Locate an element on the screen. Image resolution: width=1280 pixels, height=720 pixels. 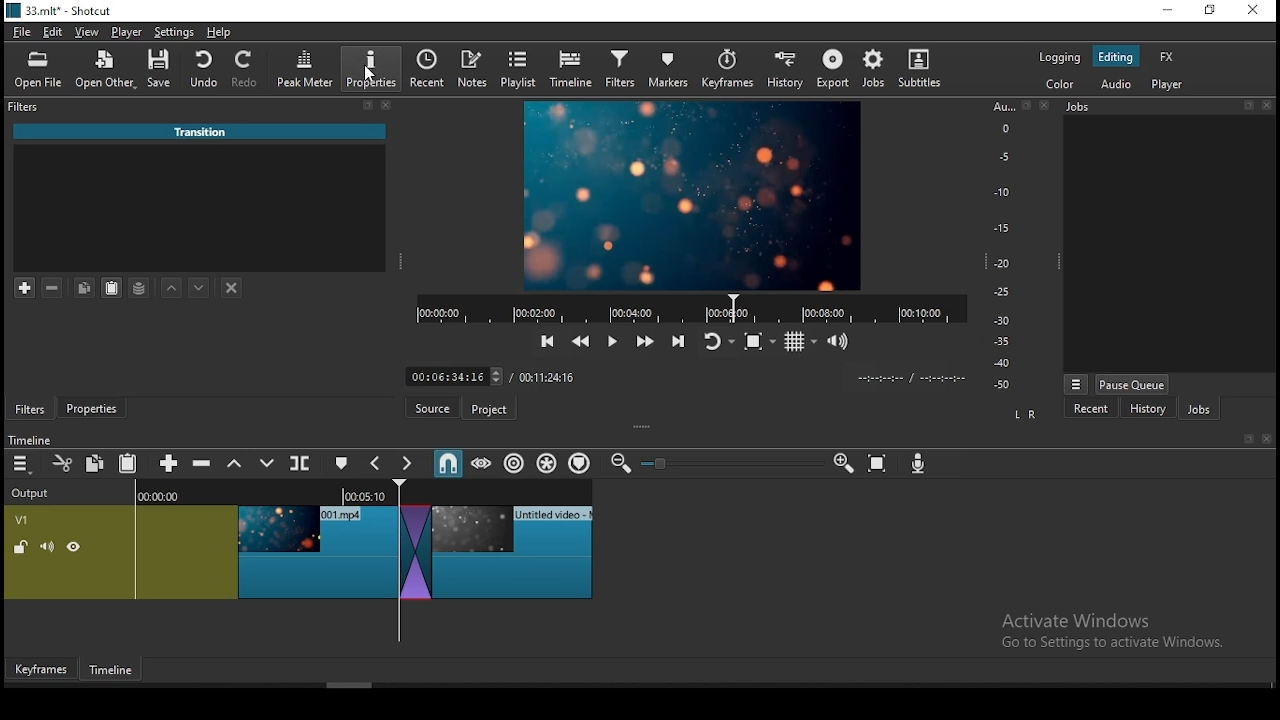
history is located at coordinates (782, 71).